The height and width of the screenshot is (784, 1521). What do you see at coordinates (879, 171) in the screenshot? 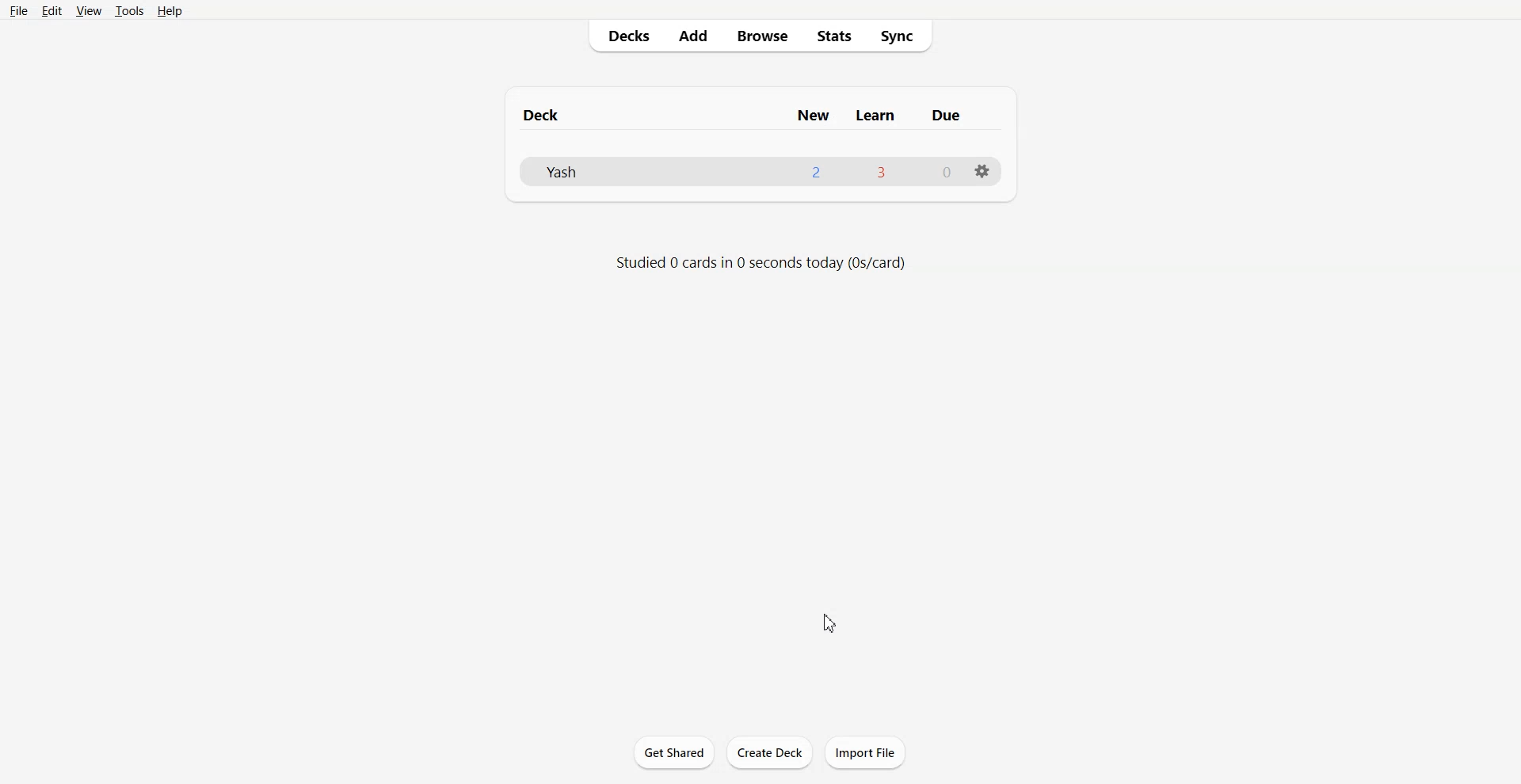
I see `3` at bounding box center [879, 171].